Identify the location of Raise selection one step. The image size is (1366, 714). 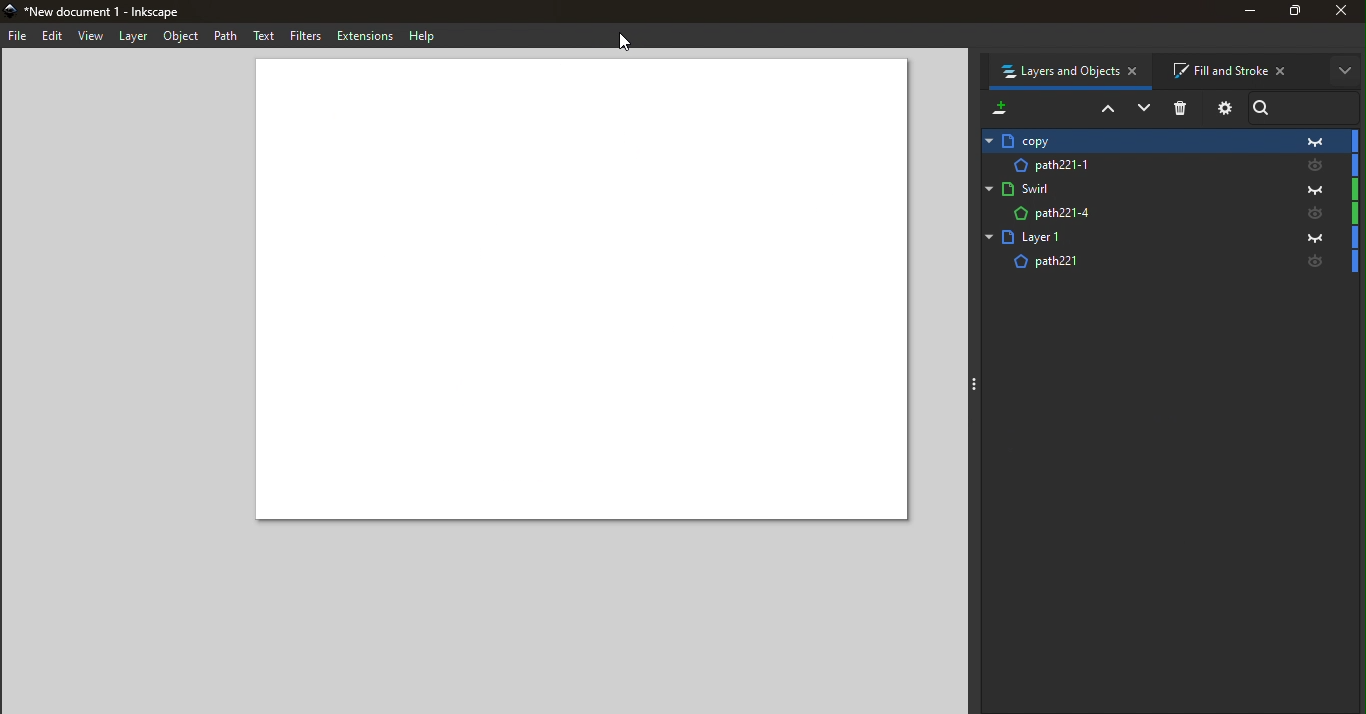
(1105, 111).